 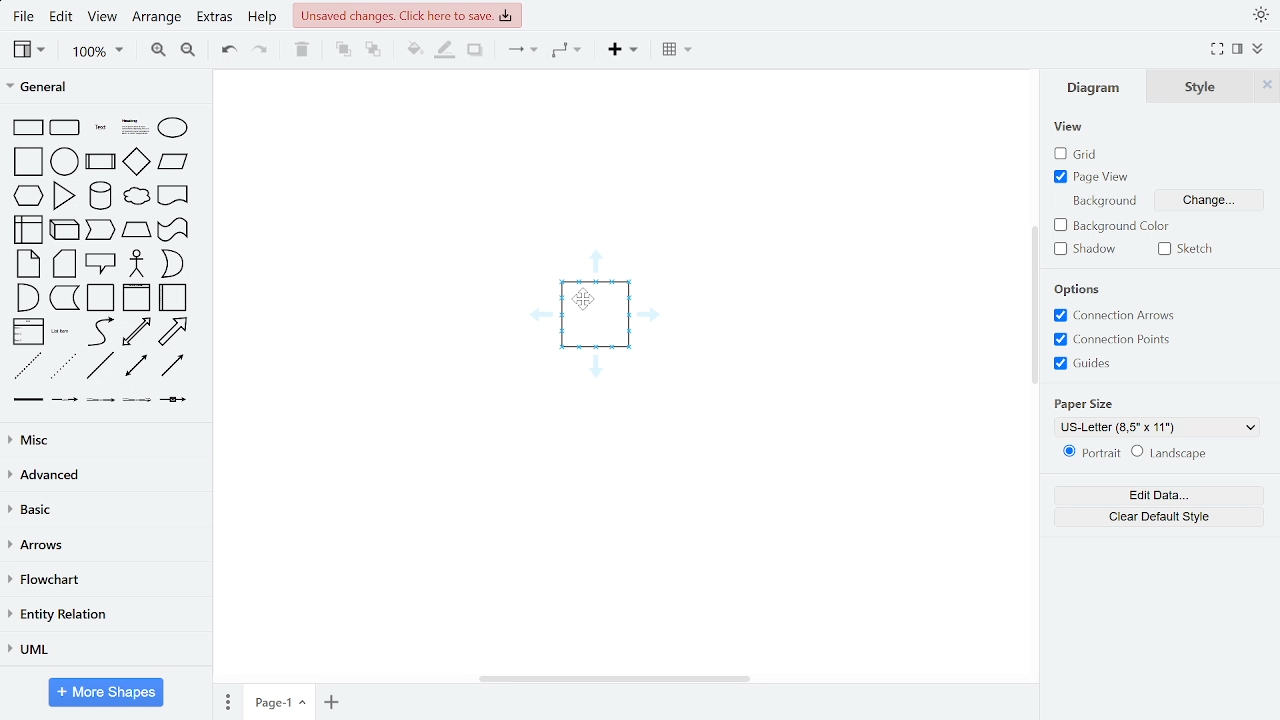 What do you see at coordinates (26, 127) in the screenshot?
I see `general shapes` at bounding box center [26, 127].